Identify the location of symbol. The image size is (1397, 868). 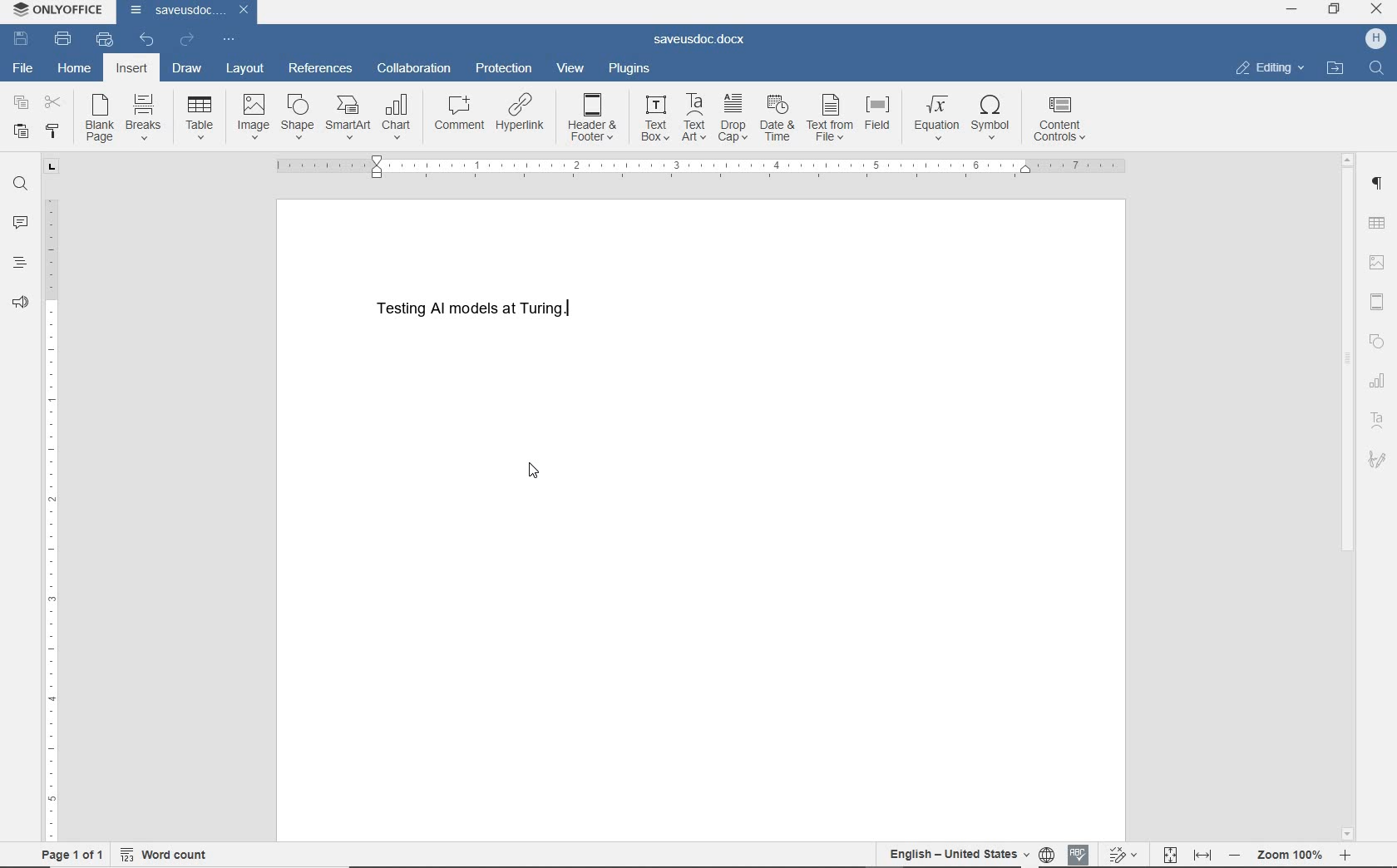
(993, 118).